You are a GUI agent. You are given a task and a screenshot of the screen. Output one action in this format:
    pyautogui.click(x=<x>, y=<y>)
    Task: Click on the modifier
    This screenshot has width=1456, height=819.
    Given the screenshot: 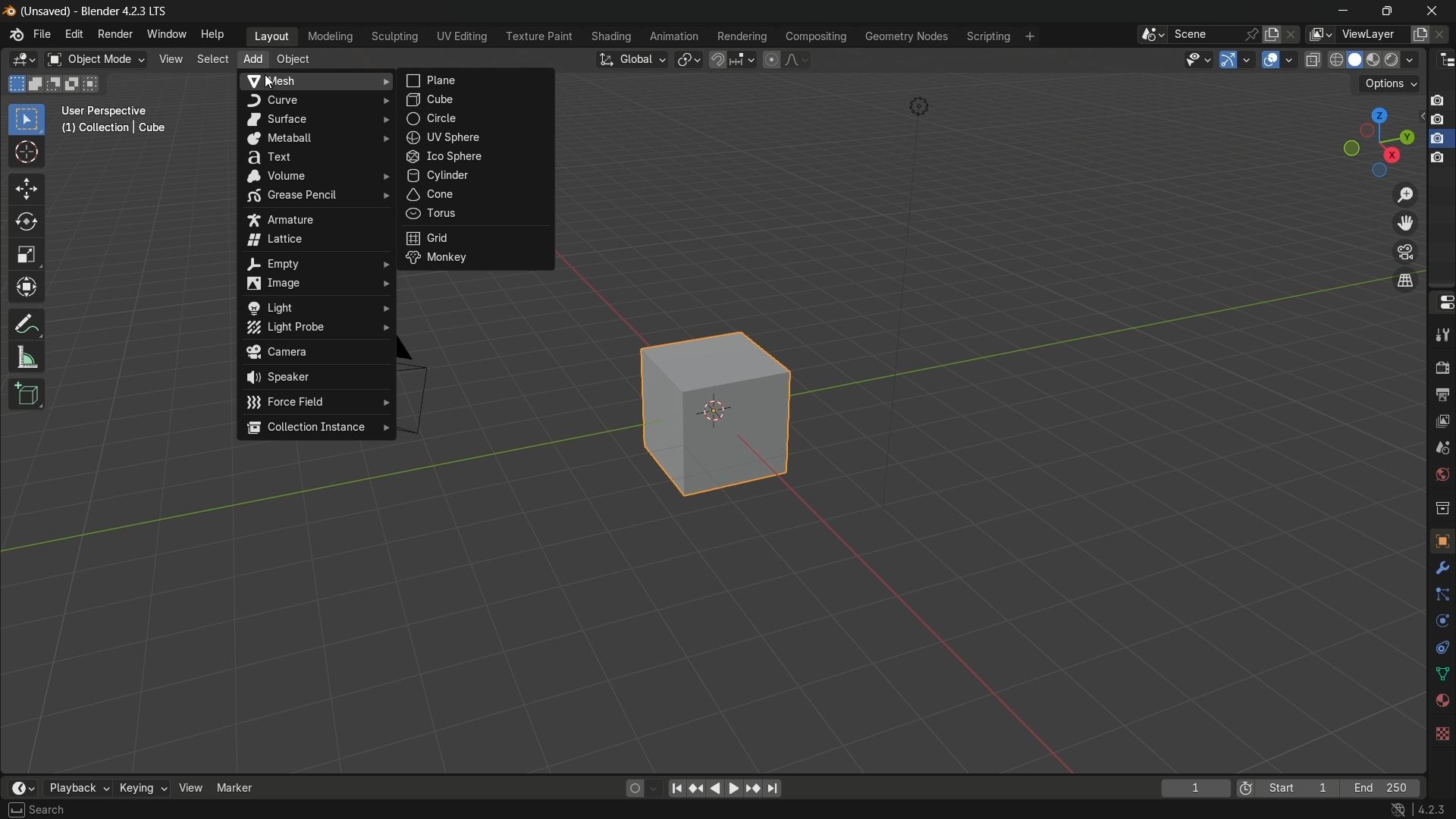 What is the action you would take?
    pyautogui.click(x=1439, y=568)
    